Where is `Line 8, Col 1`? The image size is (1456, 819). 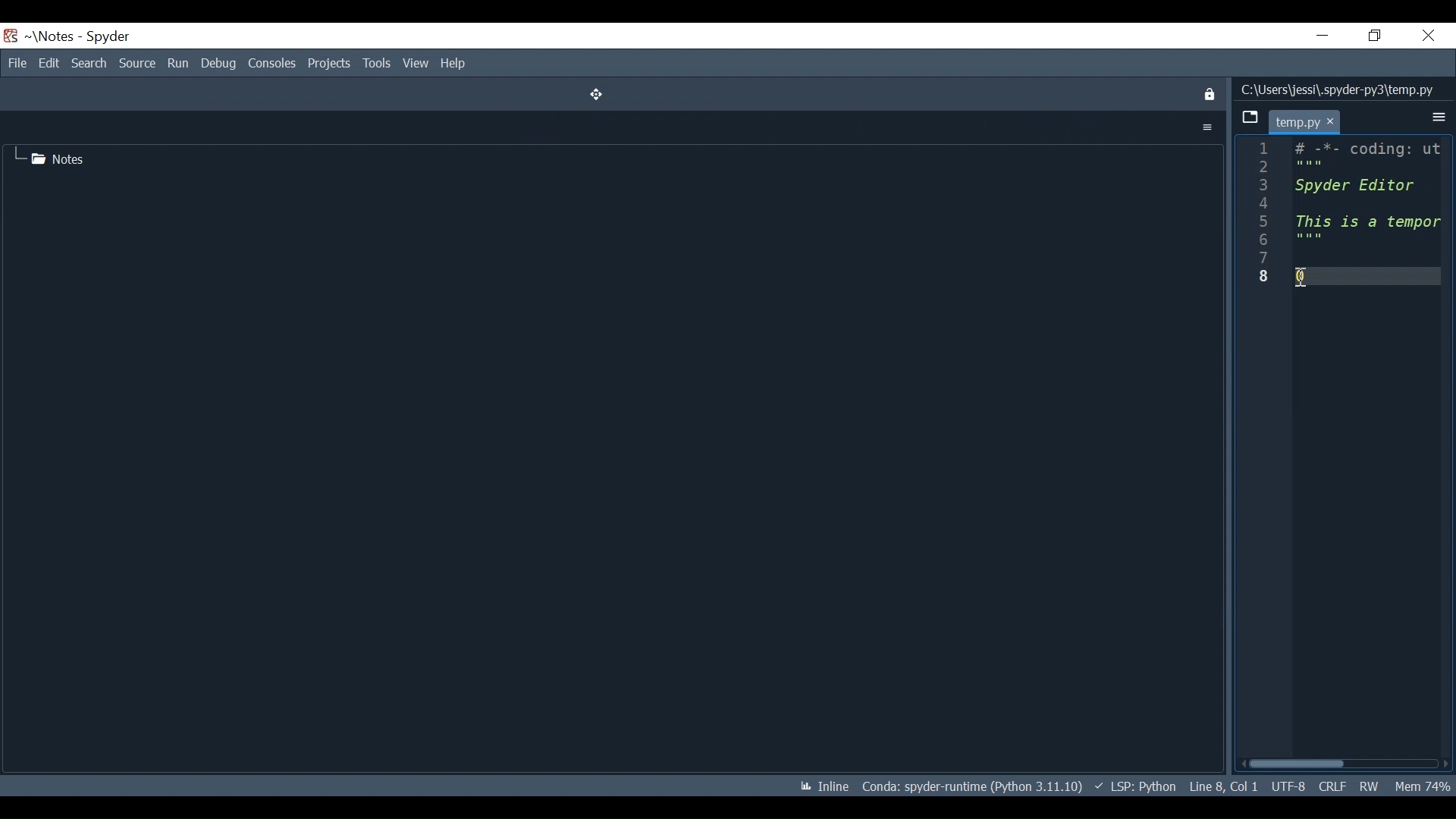
Line 8, Col 1 is located at coordinates (1222, 786).